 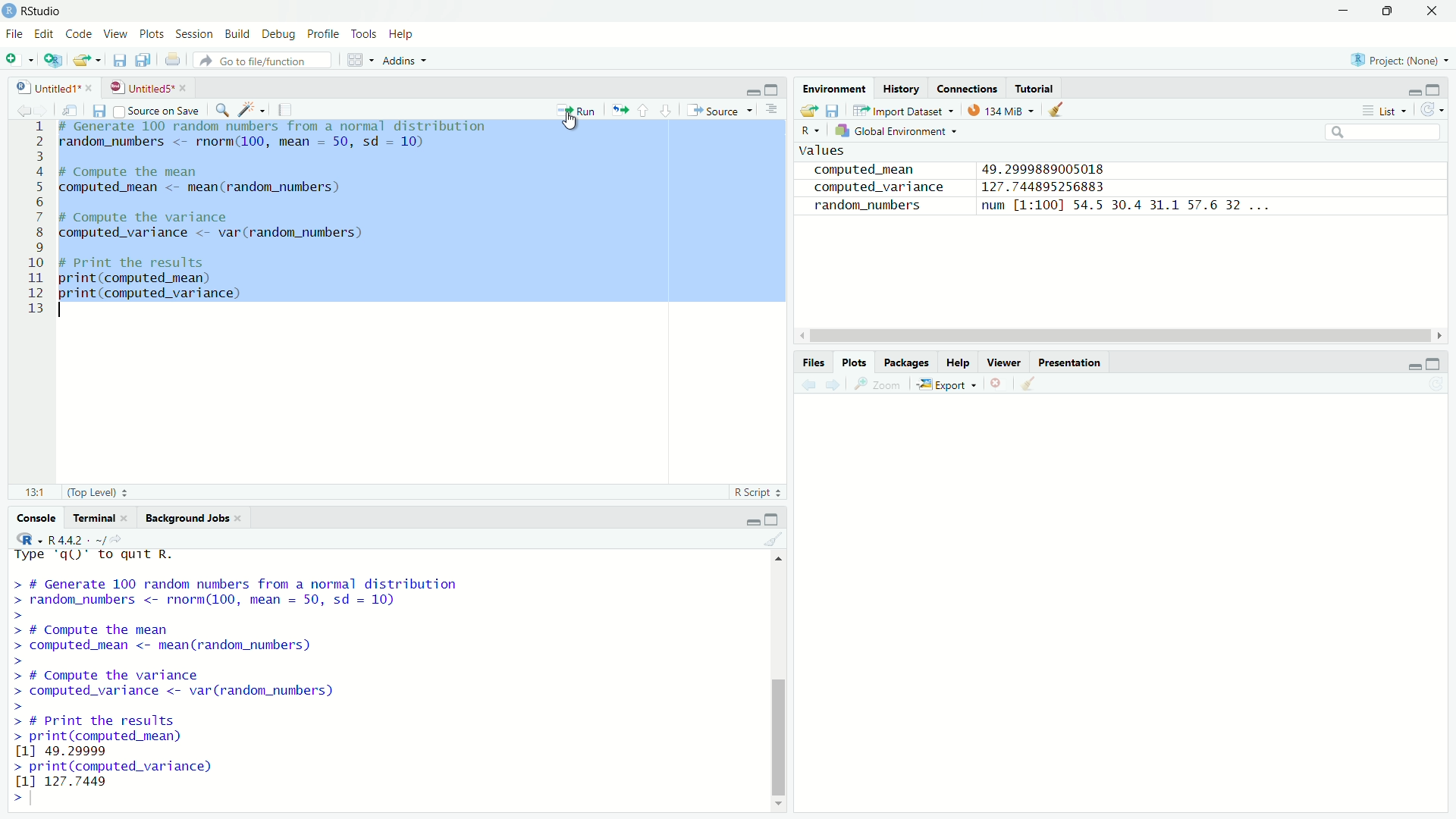 What do you see at coordinates (359, 60) in the screenshot?
I see `workspace panes` at bounding box center [359, 60].